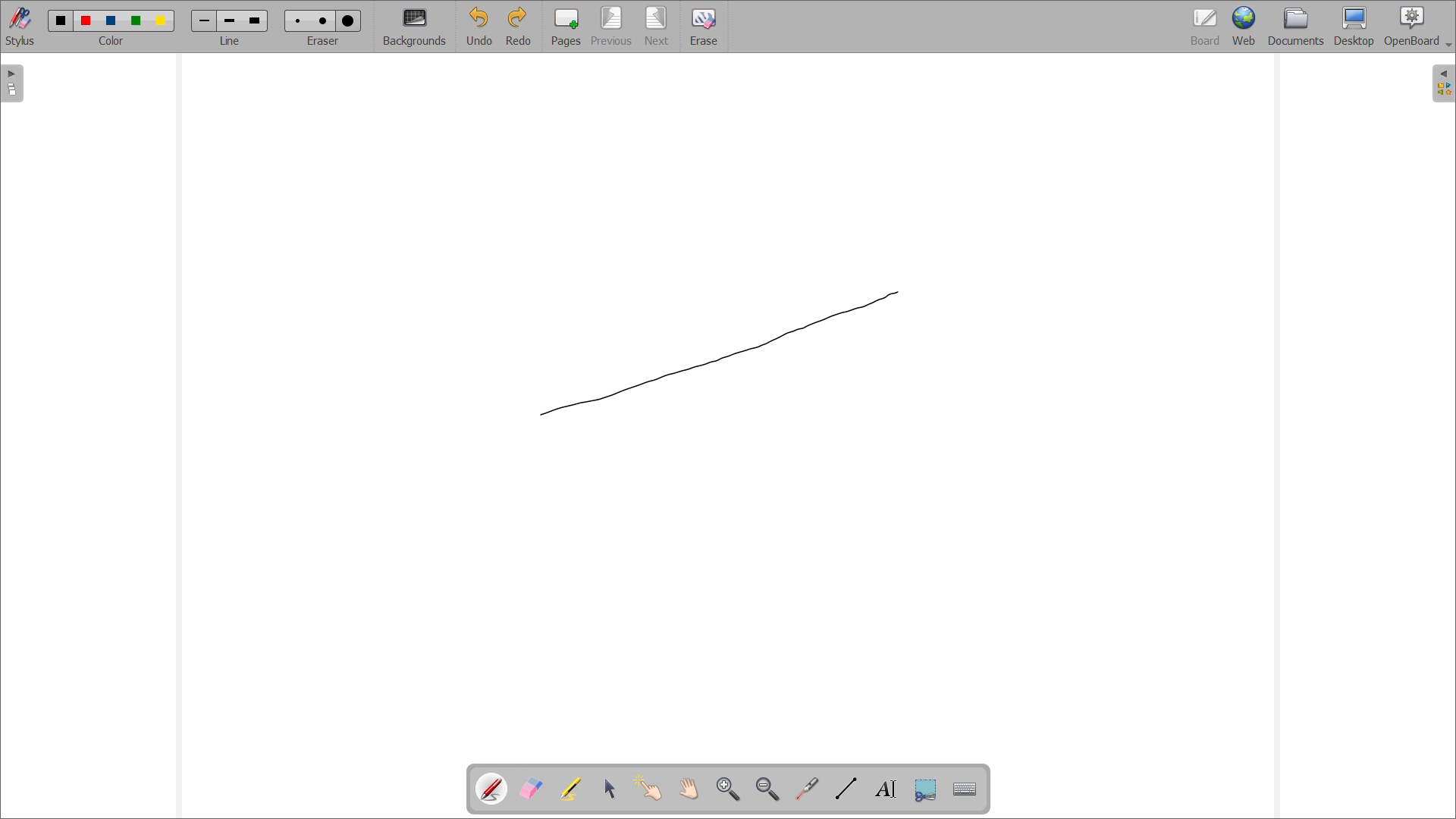 This screenshot has height=819, width=1456. Describe the element at coordinates (532, 789) in the screenshot. I see `erase annotations` at that location.